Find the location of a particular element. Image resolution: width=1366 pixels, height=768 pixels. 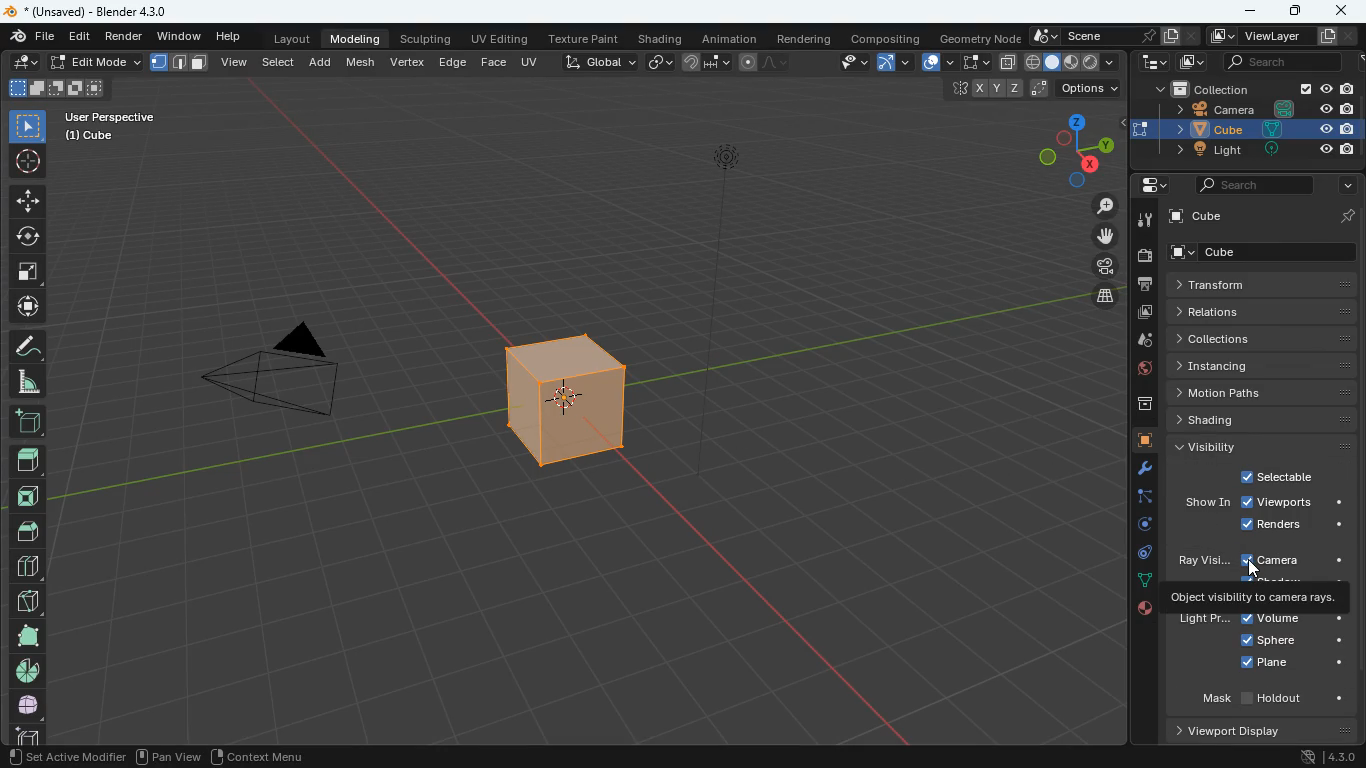

object visibility is located at coordinates (1253, 597).